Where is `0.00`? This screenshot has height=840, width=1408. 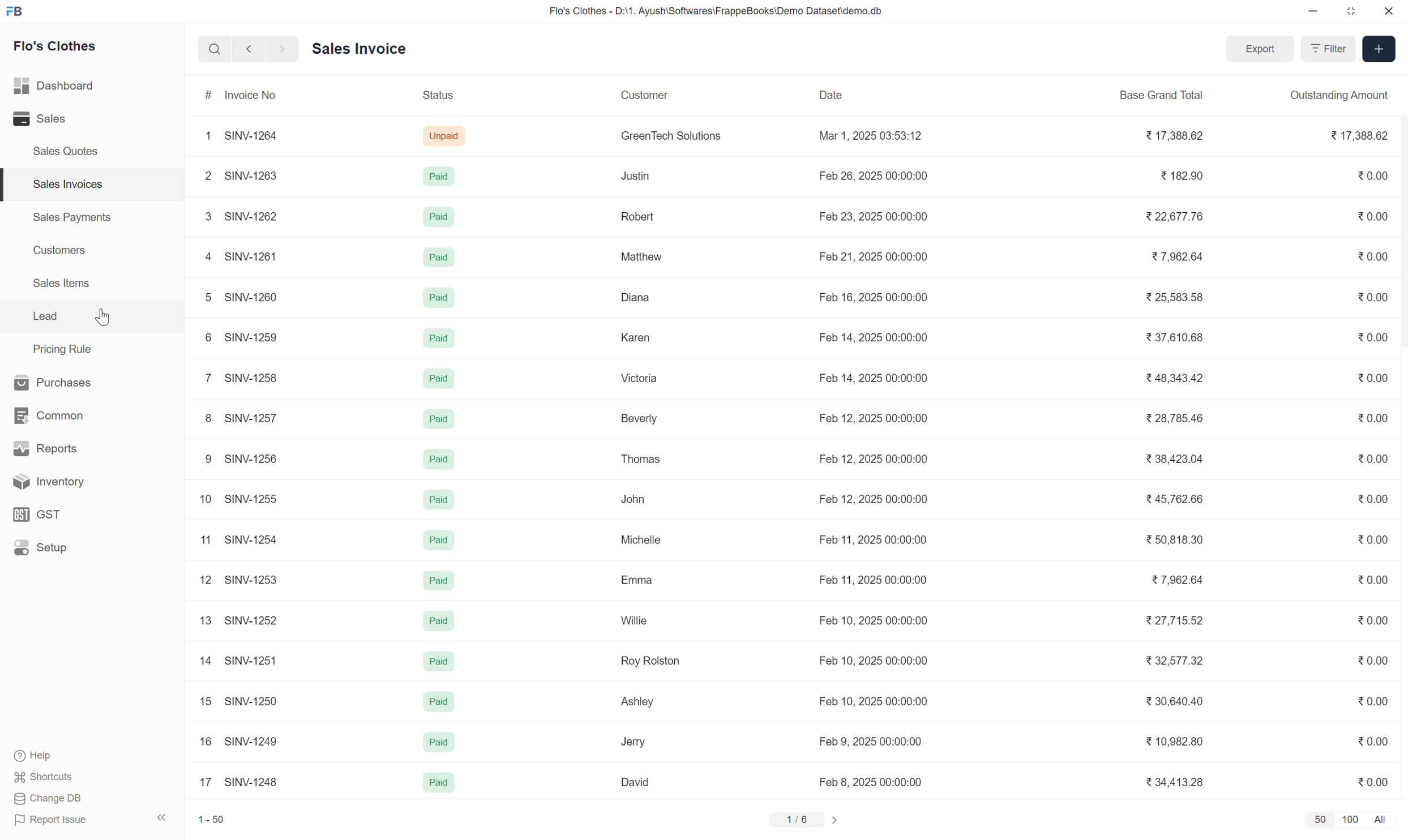 0.00 is located at coordinates (1370, 336).